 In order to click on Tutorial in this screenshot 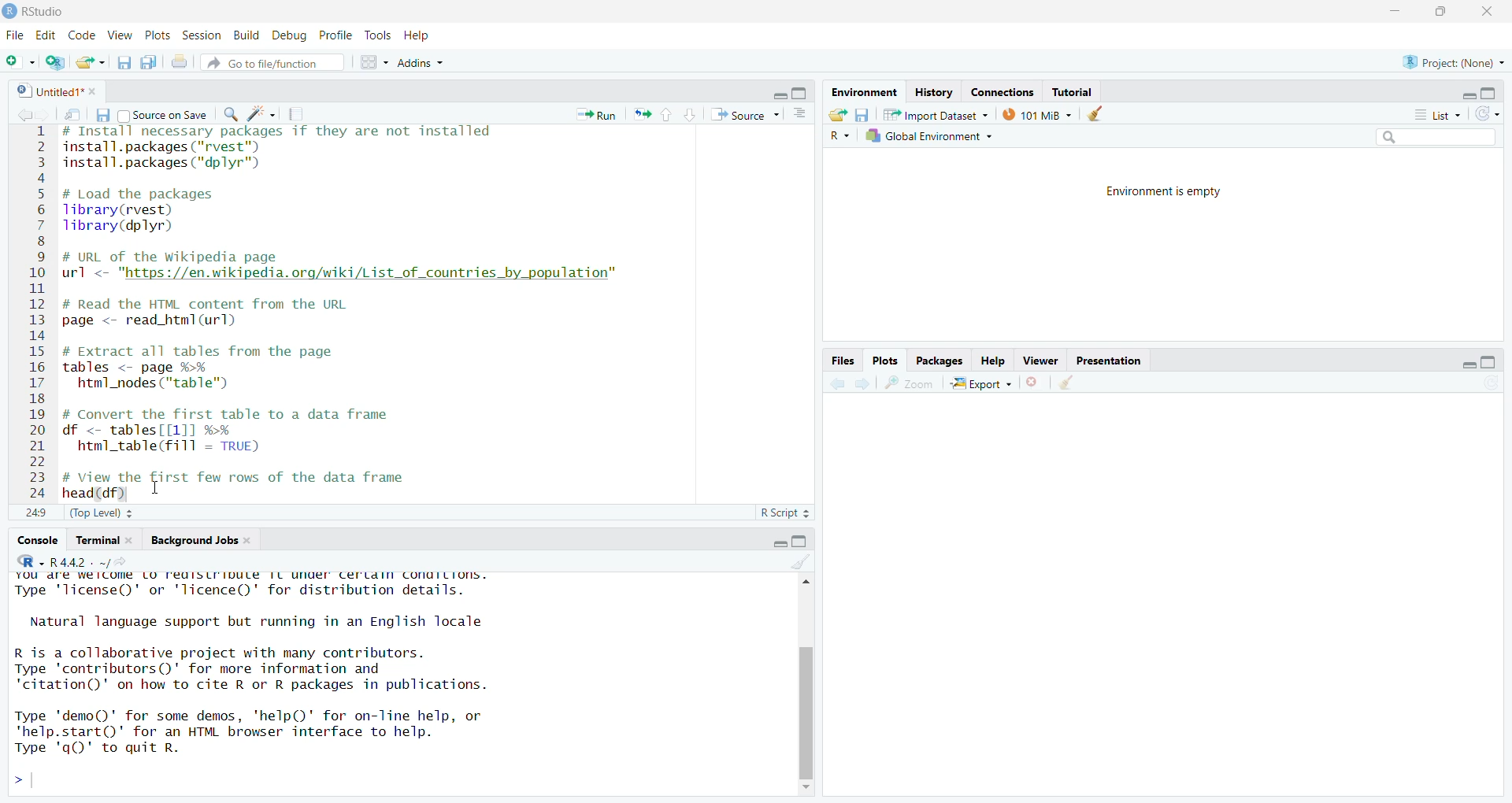, I will do `click(1073, 92)`.